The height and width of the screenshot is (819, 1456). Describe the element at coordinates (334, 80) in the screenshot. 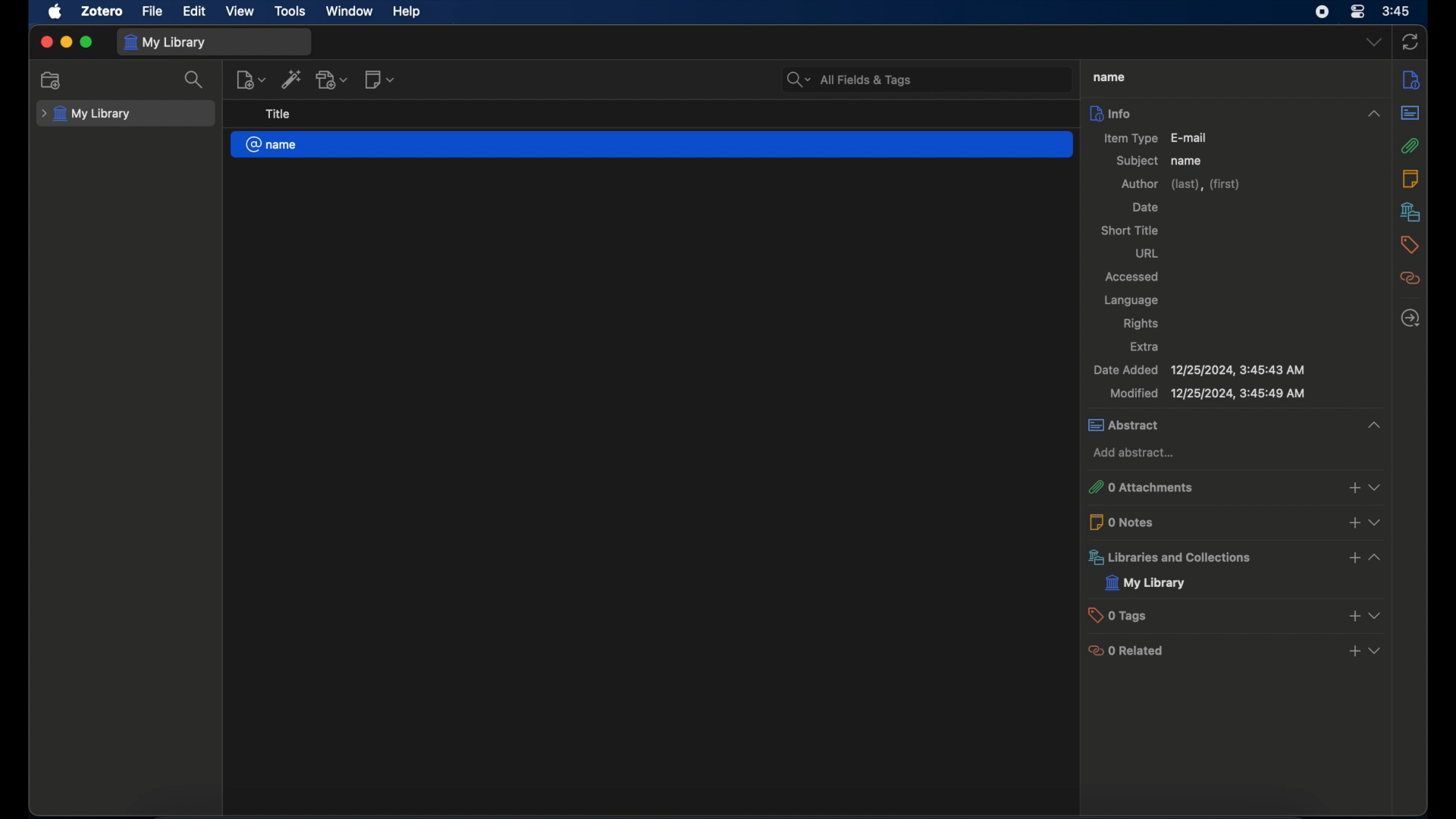

I see `add attachment` at that location.